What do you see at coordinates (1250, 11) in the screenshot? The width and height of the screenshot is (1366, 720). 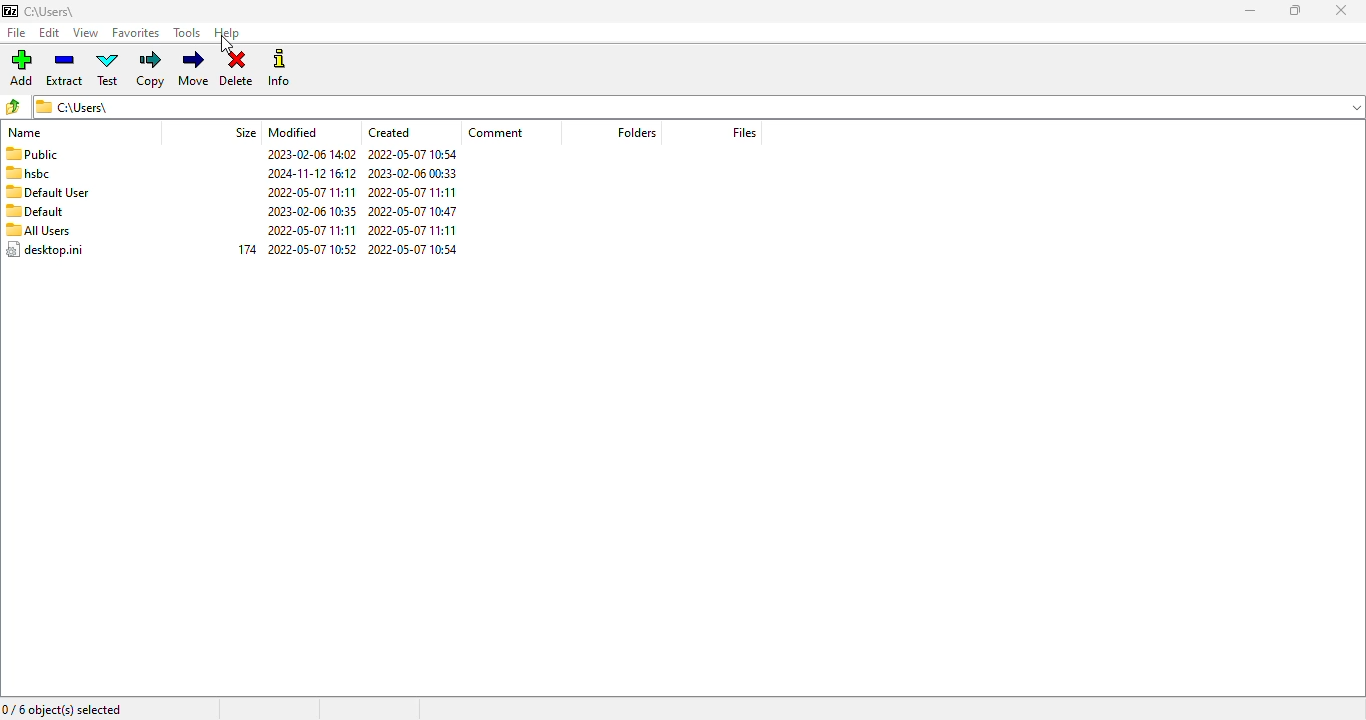 I see `minimize` at bounding box center [1250, 11].